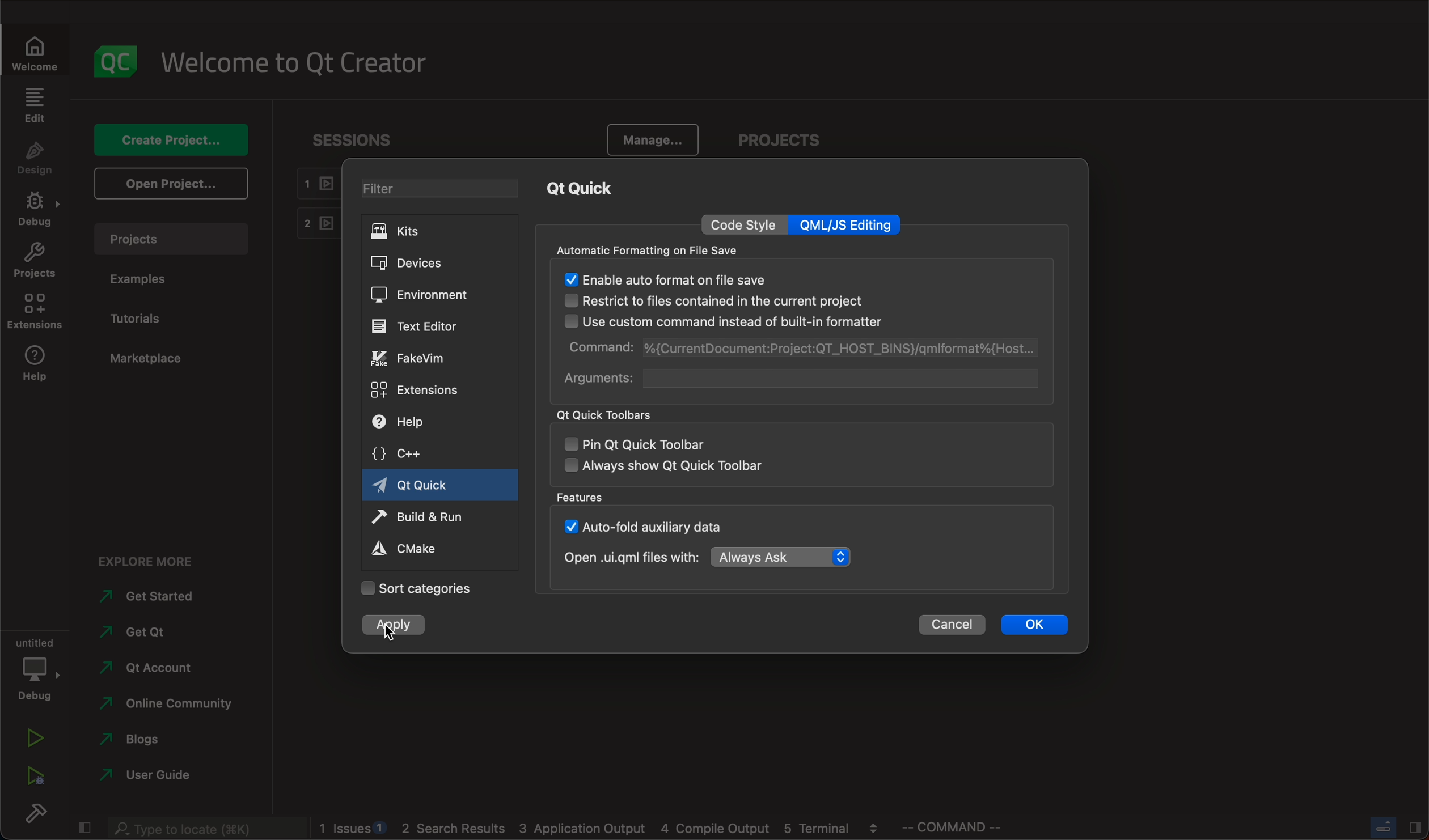  I want to click on run, so click(418, 519).